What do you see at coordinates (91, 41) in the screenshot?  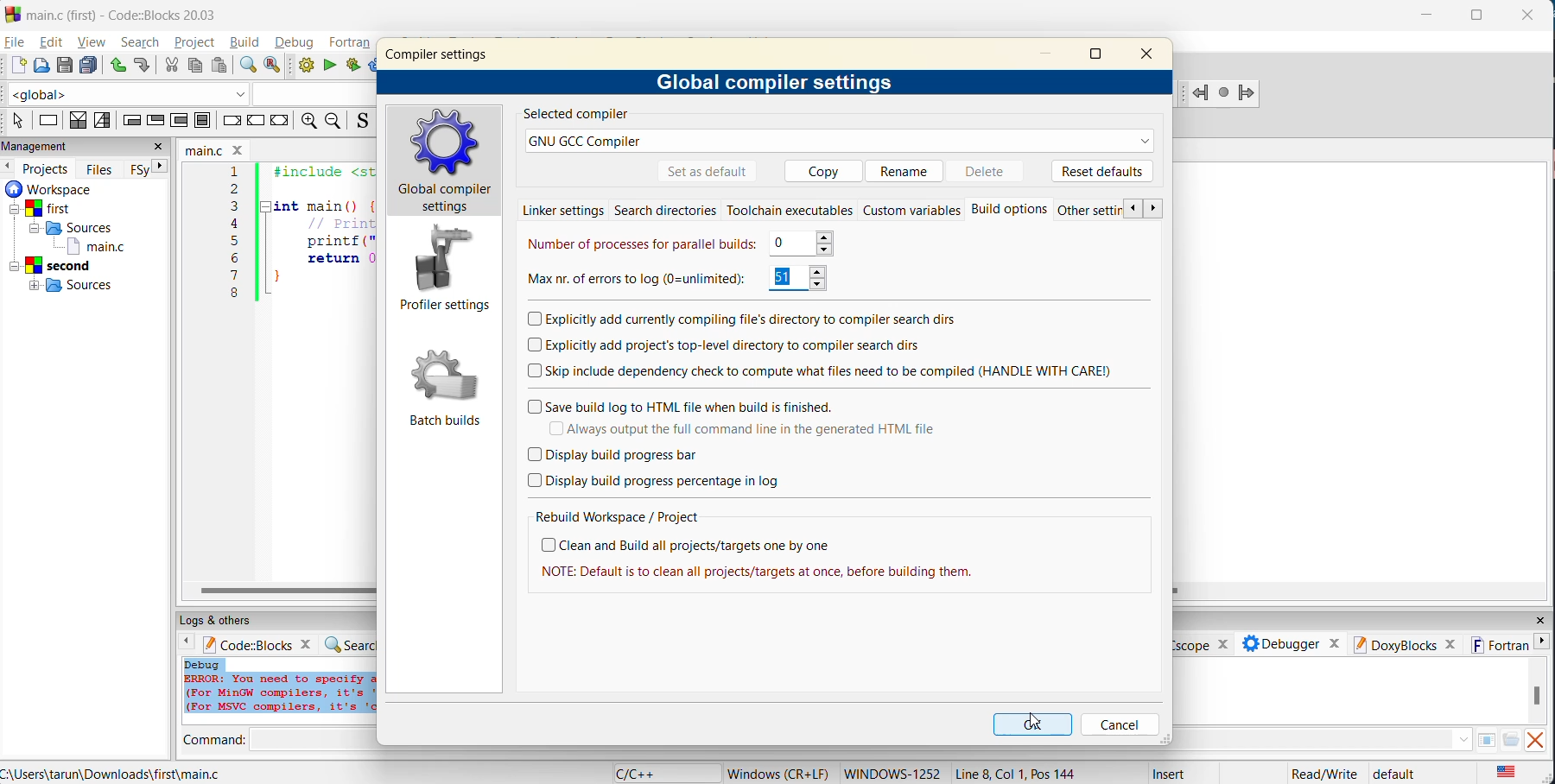 I see `view` at bounding box center [91, 41].